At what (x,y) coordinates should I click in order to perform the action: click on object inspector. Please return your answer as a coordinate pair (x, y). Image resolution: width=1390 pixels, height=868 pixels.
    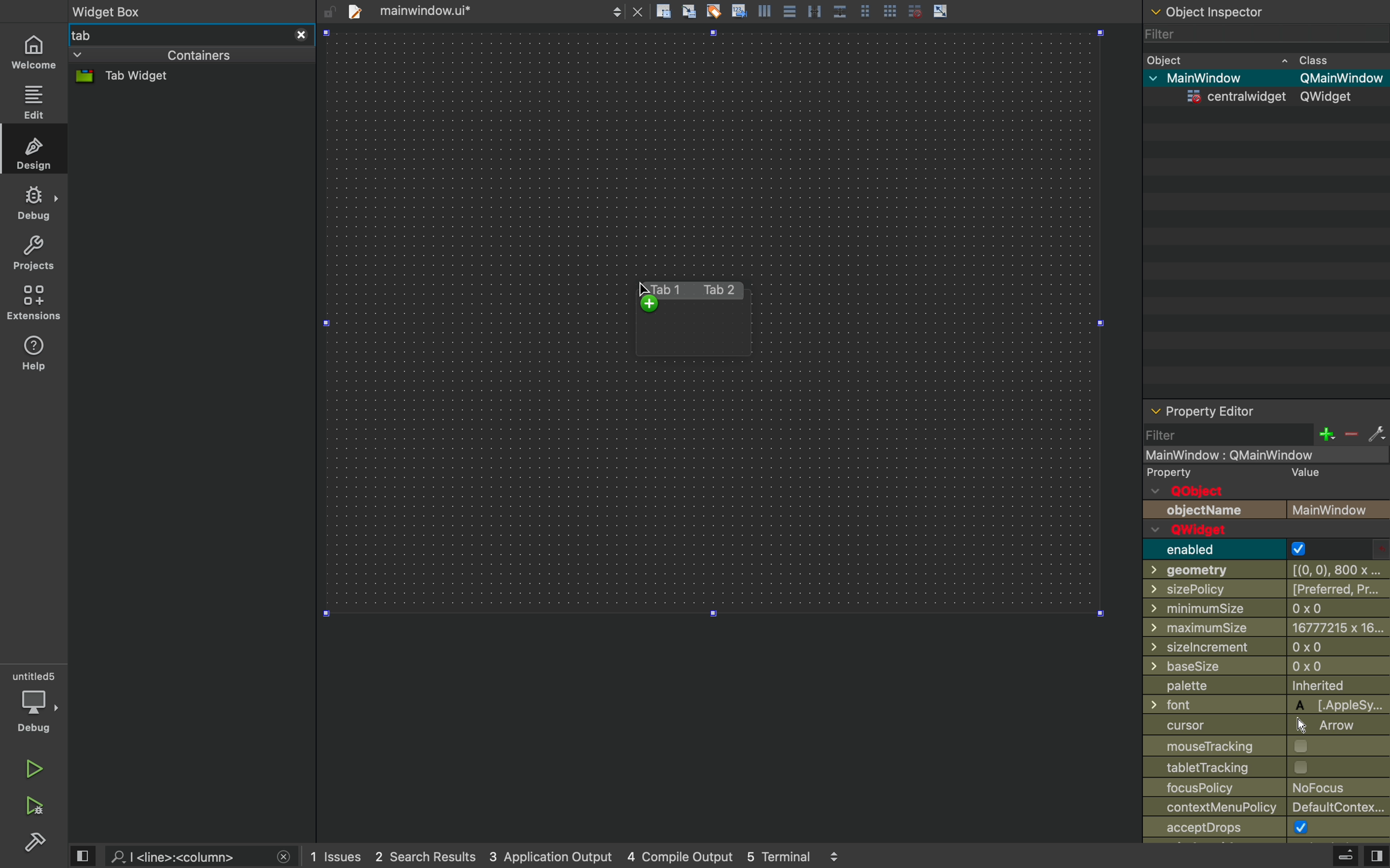
    Looking at the image, I should click on (1262, 10).